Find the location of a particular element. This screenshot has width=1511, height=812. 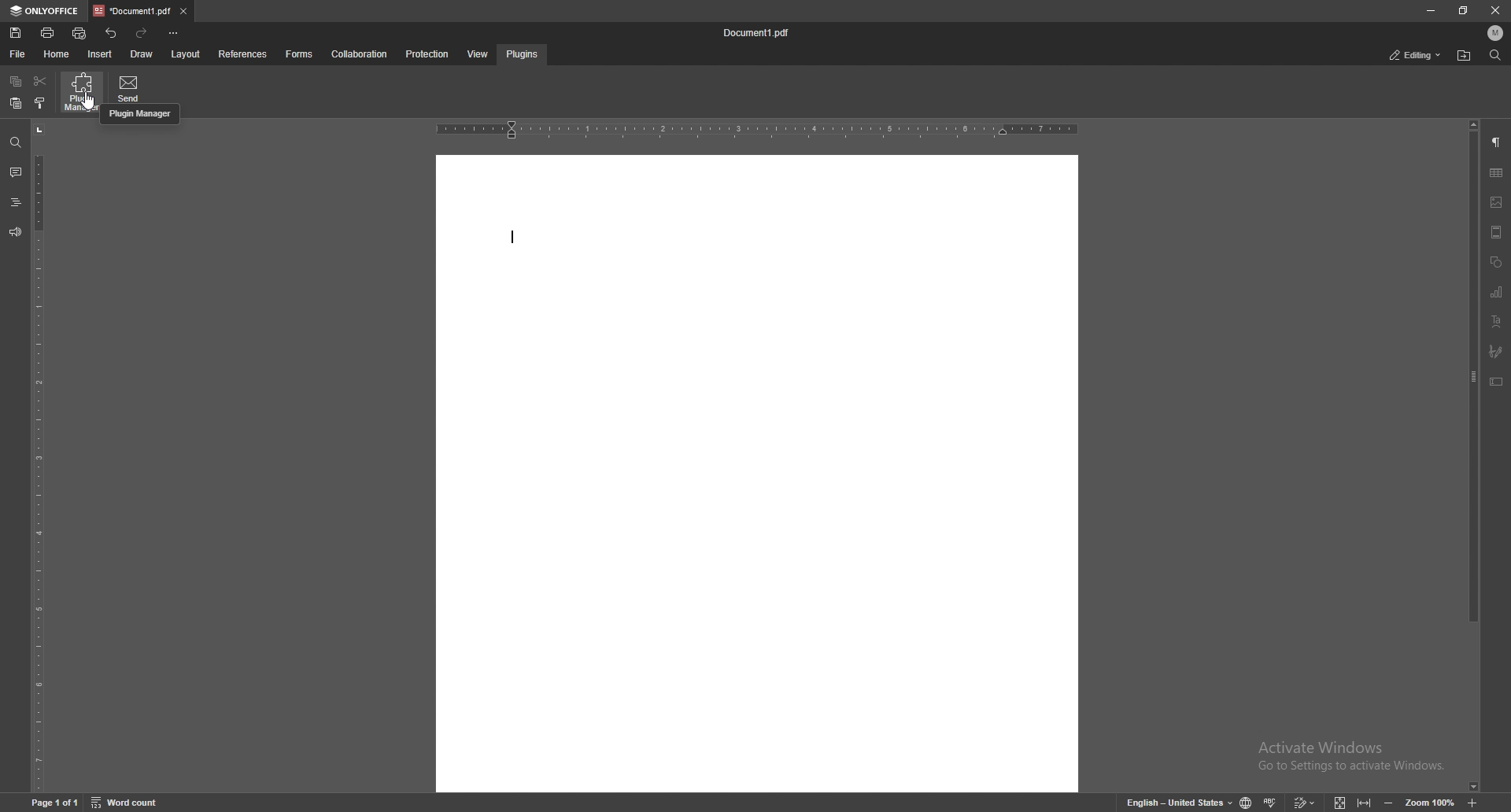

type is located at coordinates (515, 241).